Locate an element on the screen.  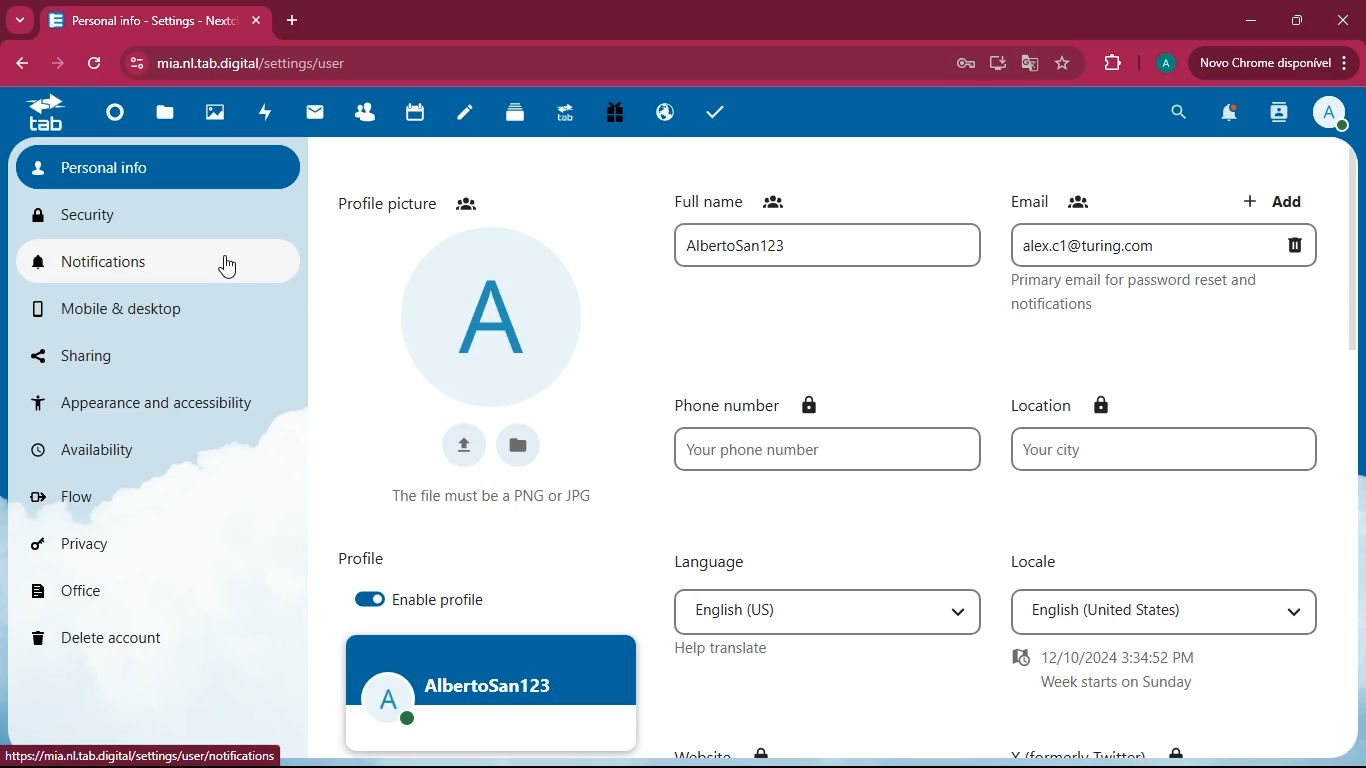
availability is located at coordinates (121, 454).